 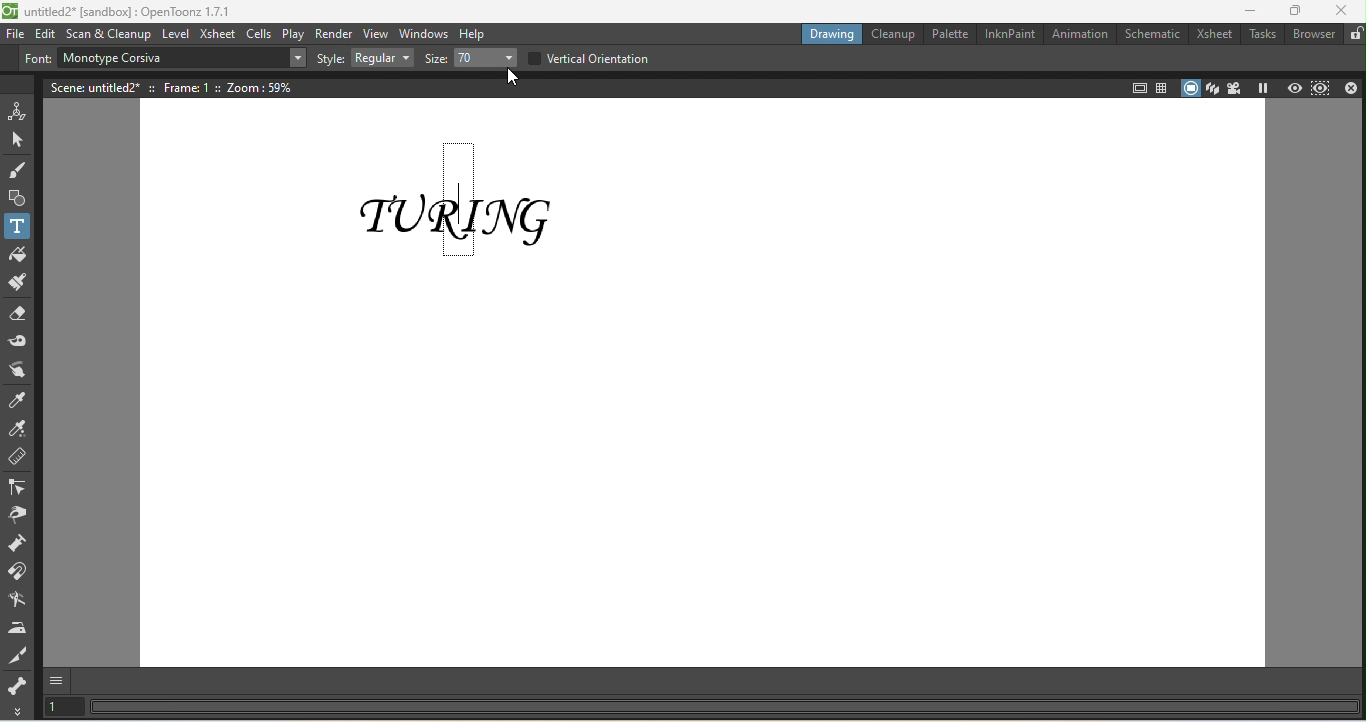 What do you see at coordinates (46, 34) in the screenshot?
I see `Edit` at bounding box center [46, 34].